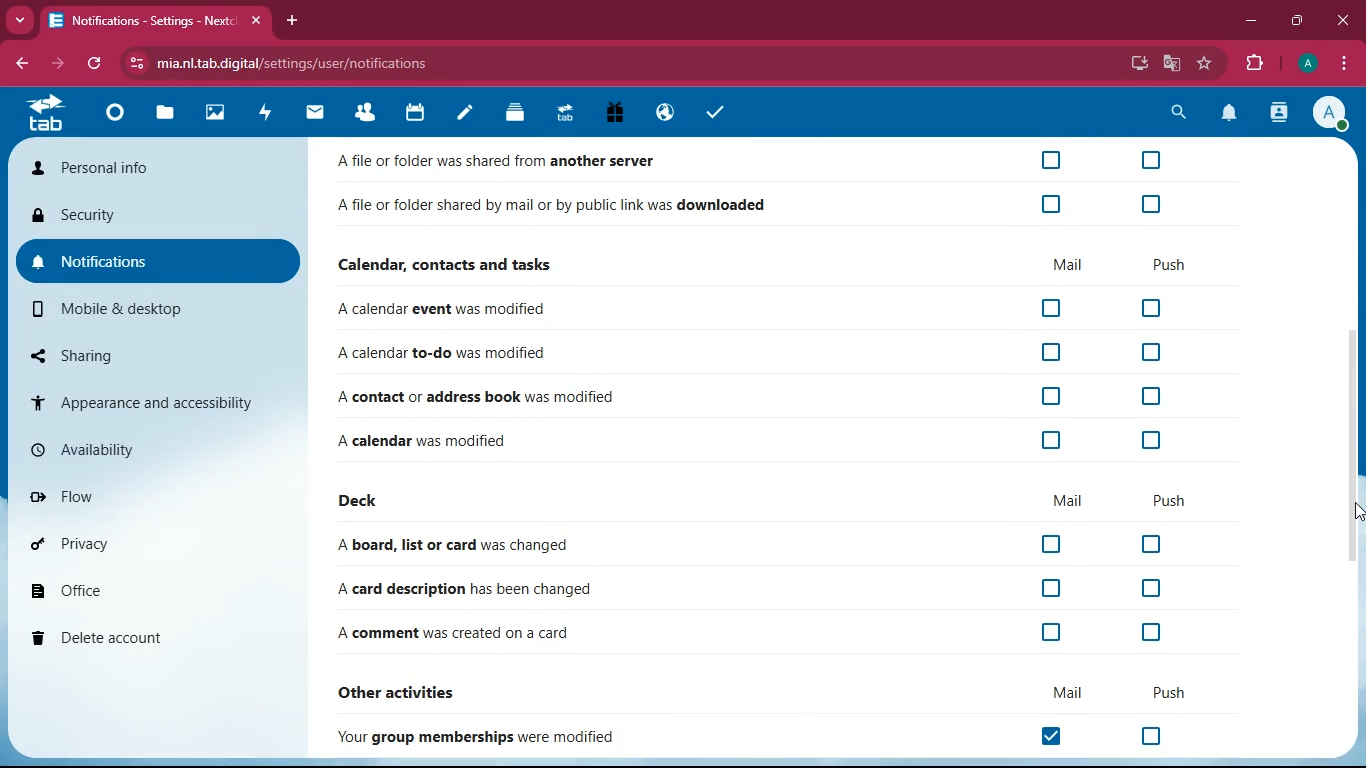 This screenshot has width=1366, height=768. What do you see at coordinates (1051, 591) in the screenshot?
I see `off` at bounding box center [1051, 591].